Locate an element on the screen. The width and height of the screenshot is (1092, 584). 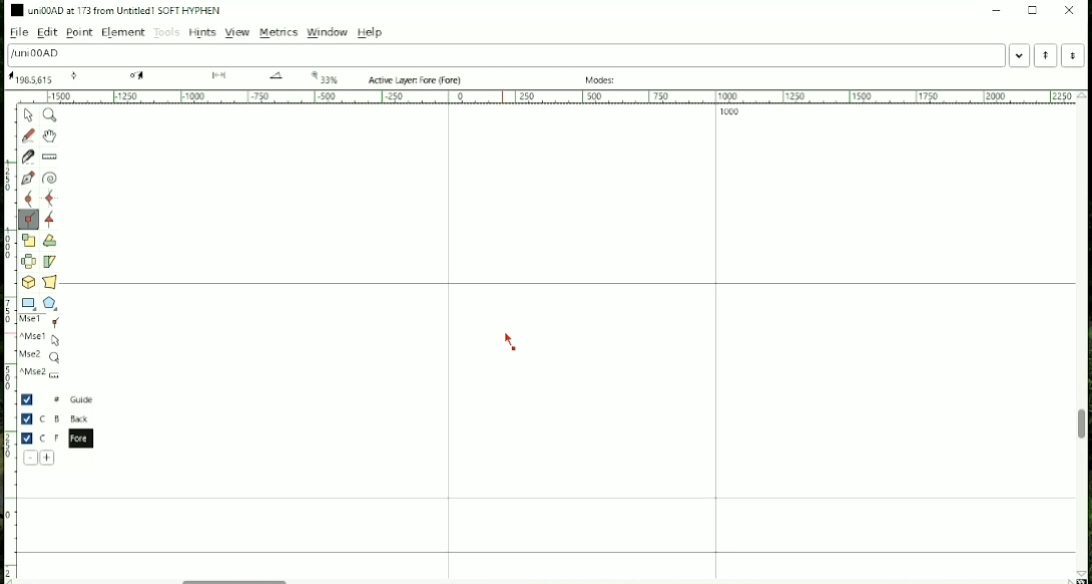
^Mse1 is located at coordinates (42, 339).